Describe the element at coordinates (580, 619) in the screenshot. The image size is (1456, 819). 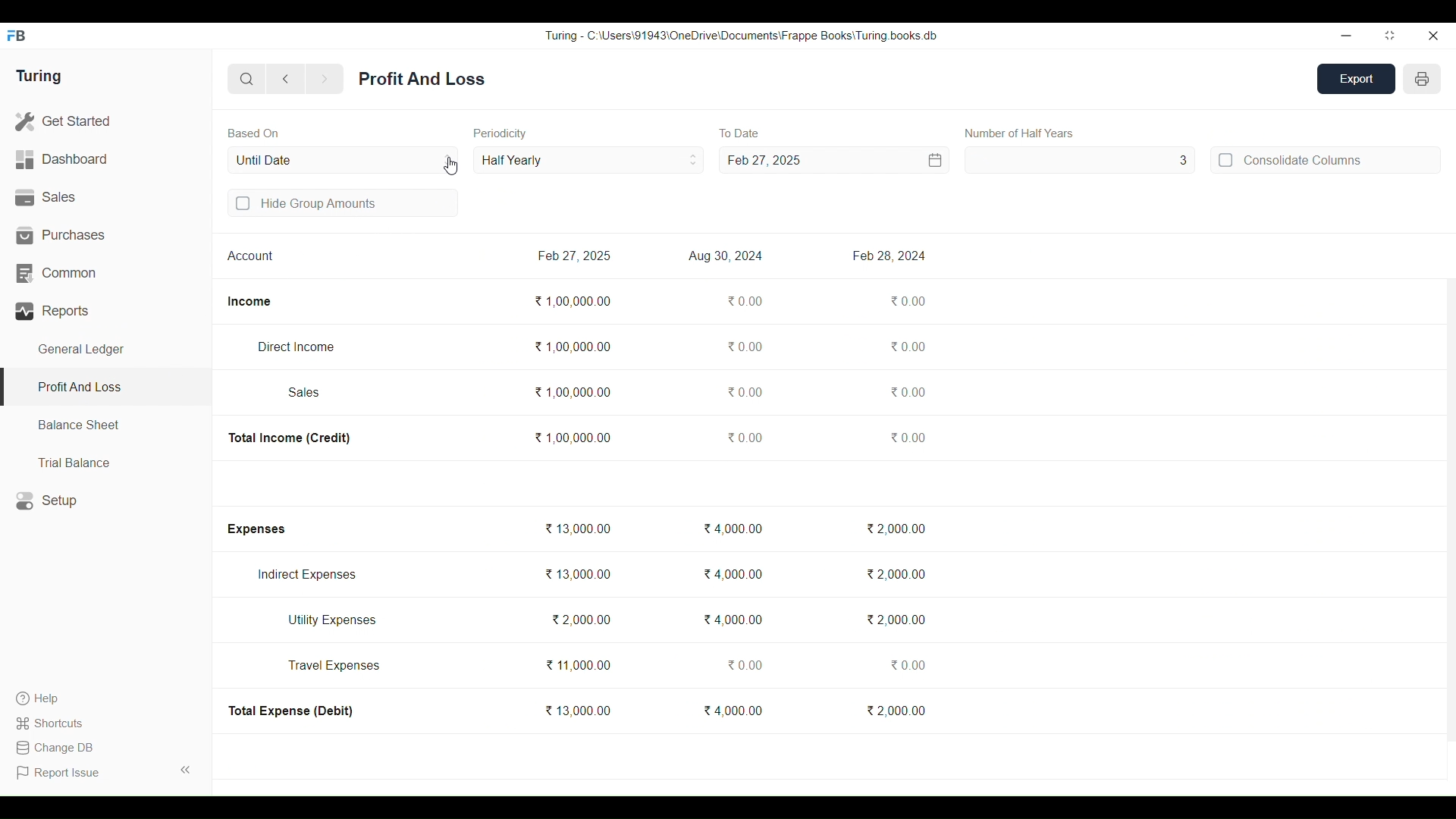
I see `2,000.00` at that location.